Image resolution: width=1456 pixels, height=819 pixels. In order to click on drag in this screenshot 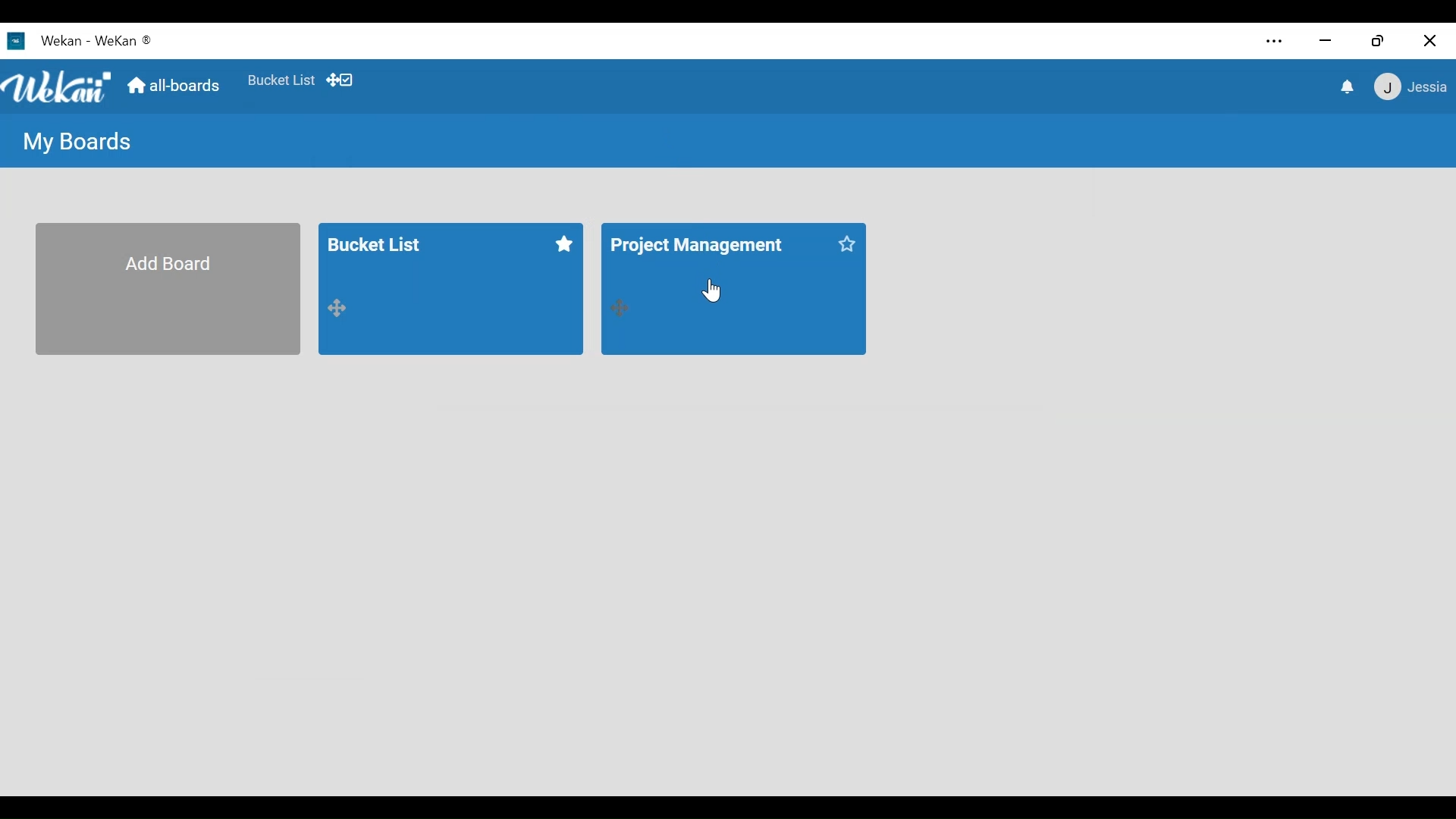, I will do `click(625, 312)`.